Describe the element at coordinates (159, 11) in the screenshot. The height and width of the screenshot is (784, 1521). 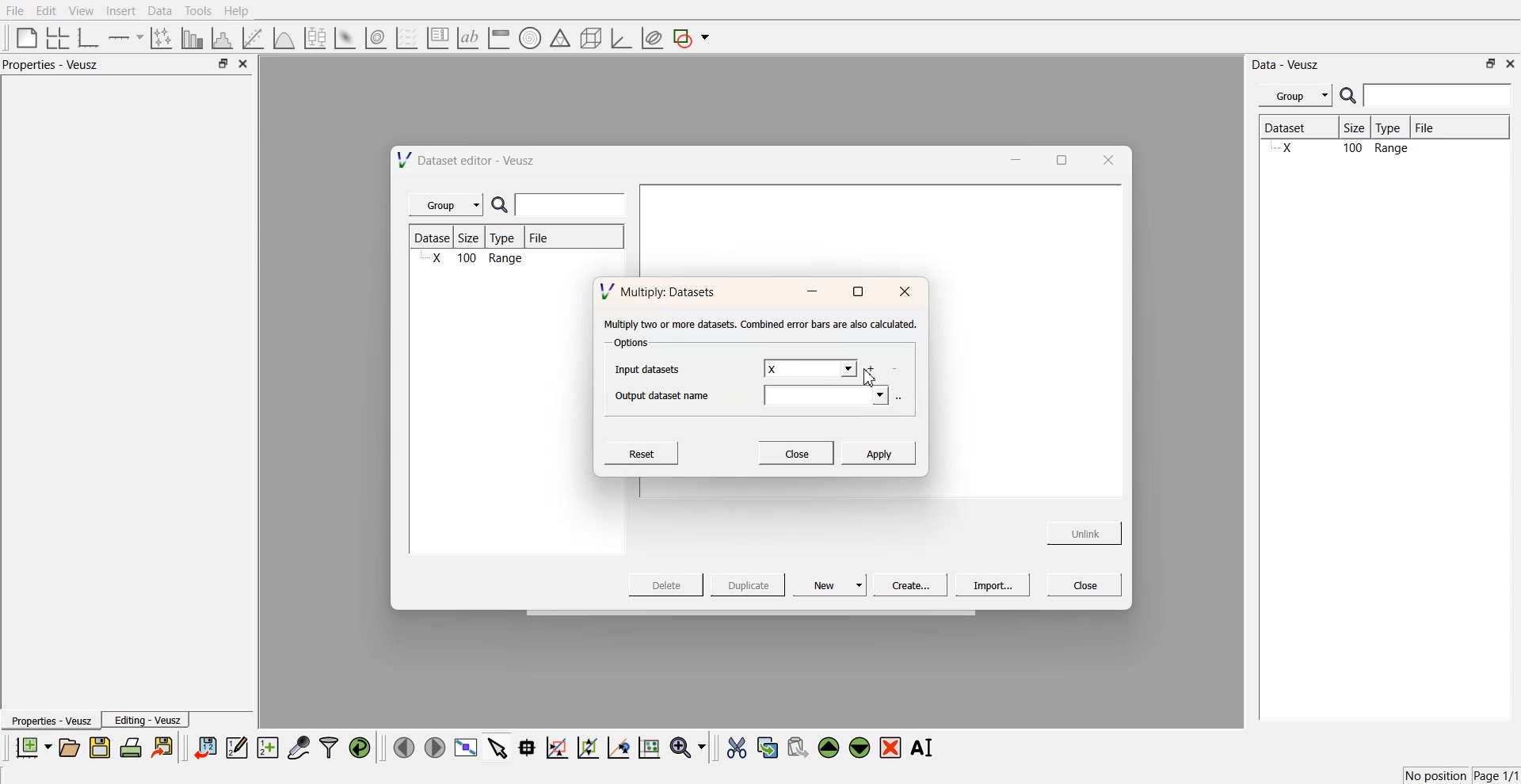
I see `Data` at that location.